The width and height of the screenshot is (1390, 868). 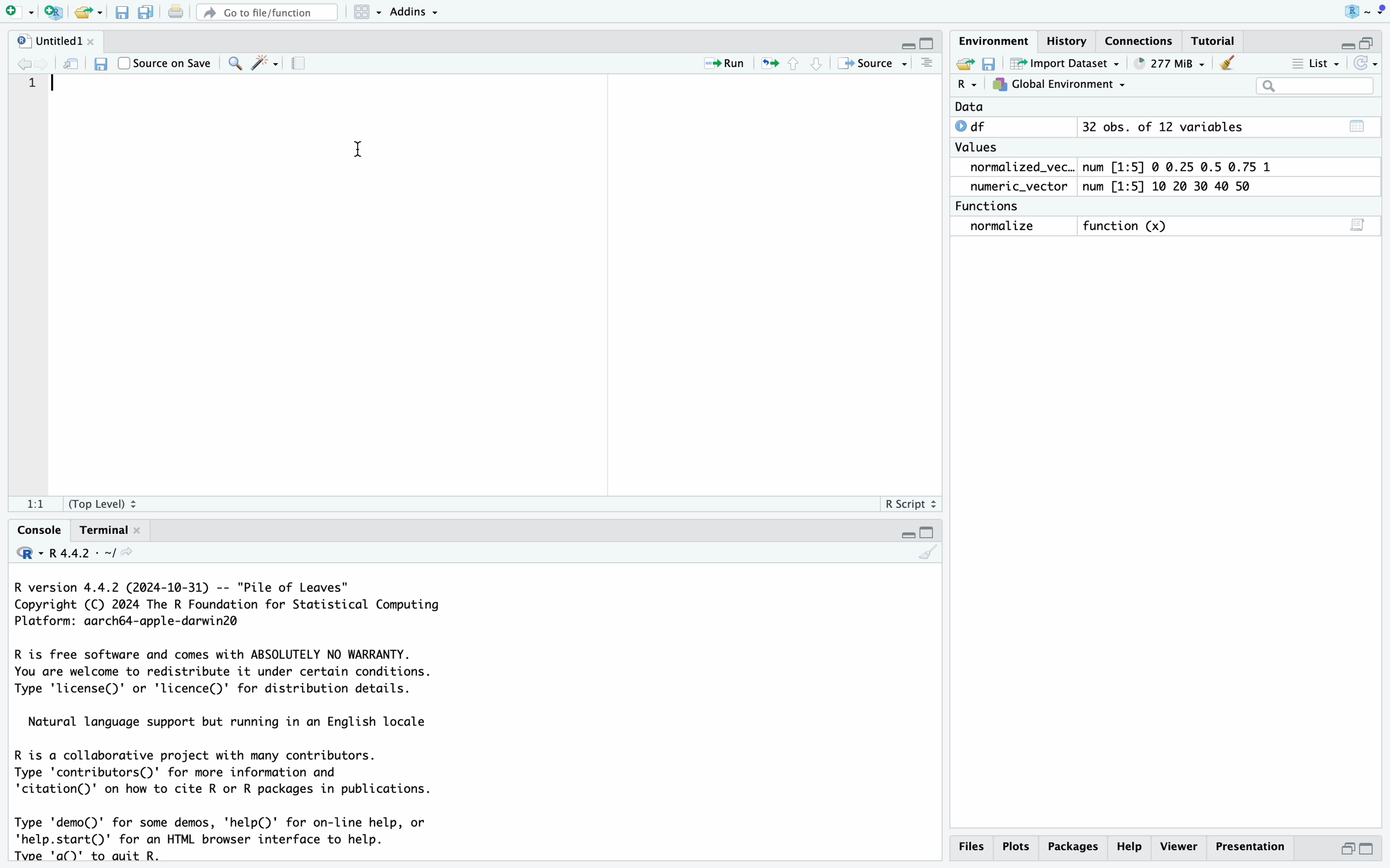 I want to click on GLOBAL ENVIRONEMENT, so click(x=1059, y=87).